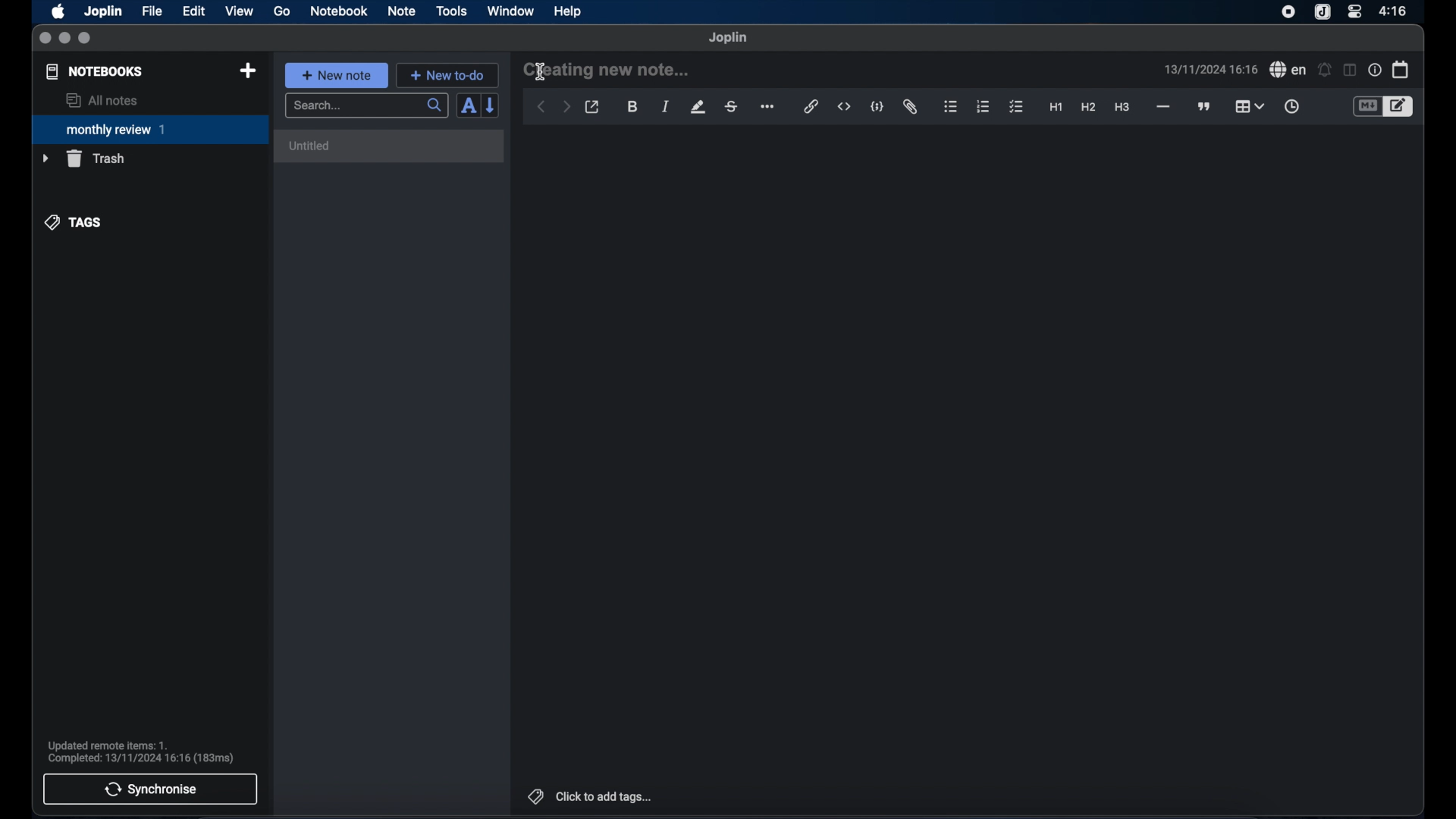  I want to click on all notes, so click(102, 100).